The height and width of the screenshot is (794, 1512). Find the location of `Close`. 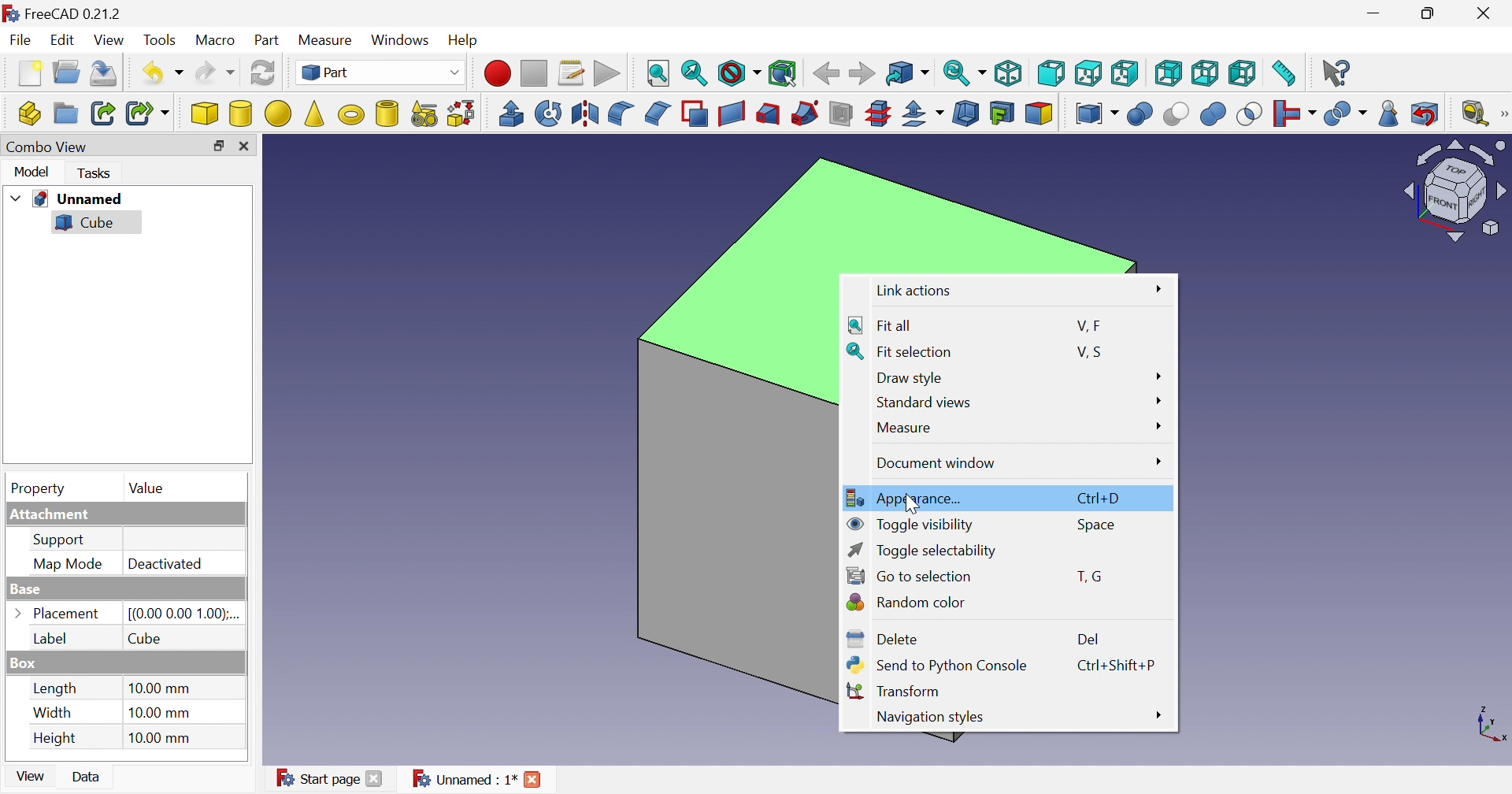

Close is located at coordinates (246, 146).